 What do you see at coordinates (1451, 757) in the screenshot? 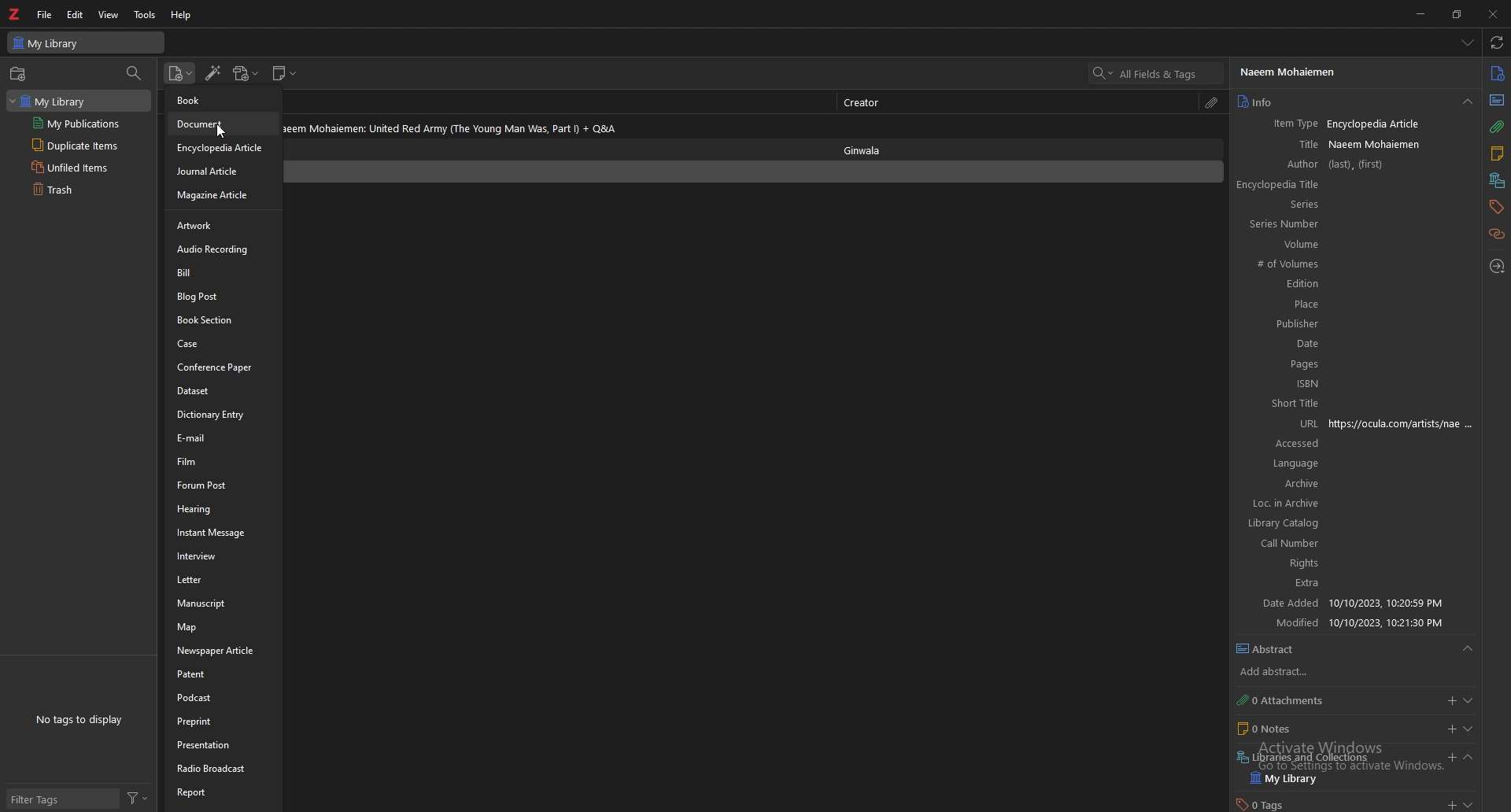
I see `add libraries and collection` at bounding box center [1451, 757].